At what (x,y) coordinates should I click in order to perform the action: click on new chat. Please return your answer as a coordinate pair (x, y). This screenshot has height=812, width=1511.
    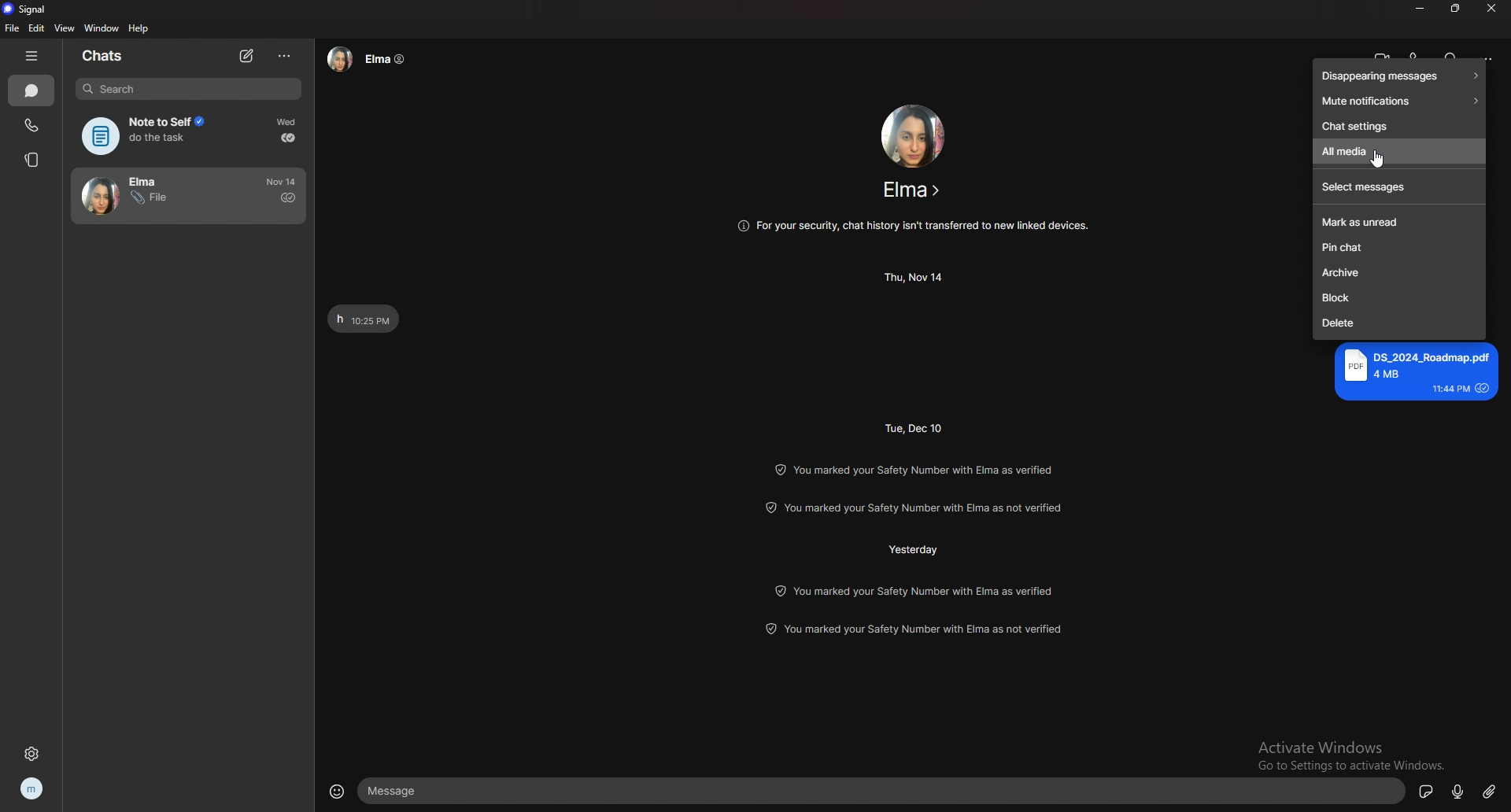
    Looking at the image, I should click on (246, 56).